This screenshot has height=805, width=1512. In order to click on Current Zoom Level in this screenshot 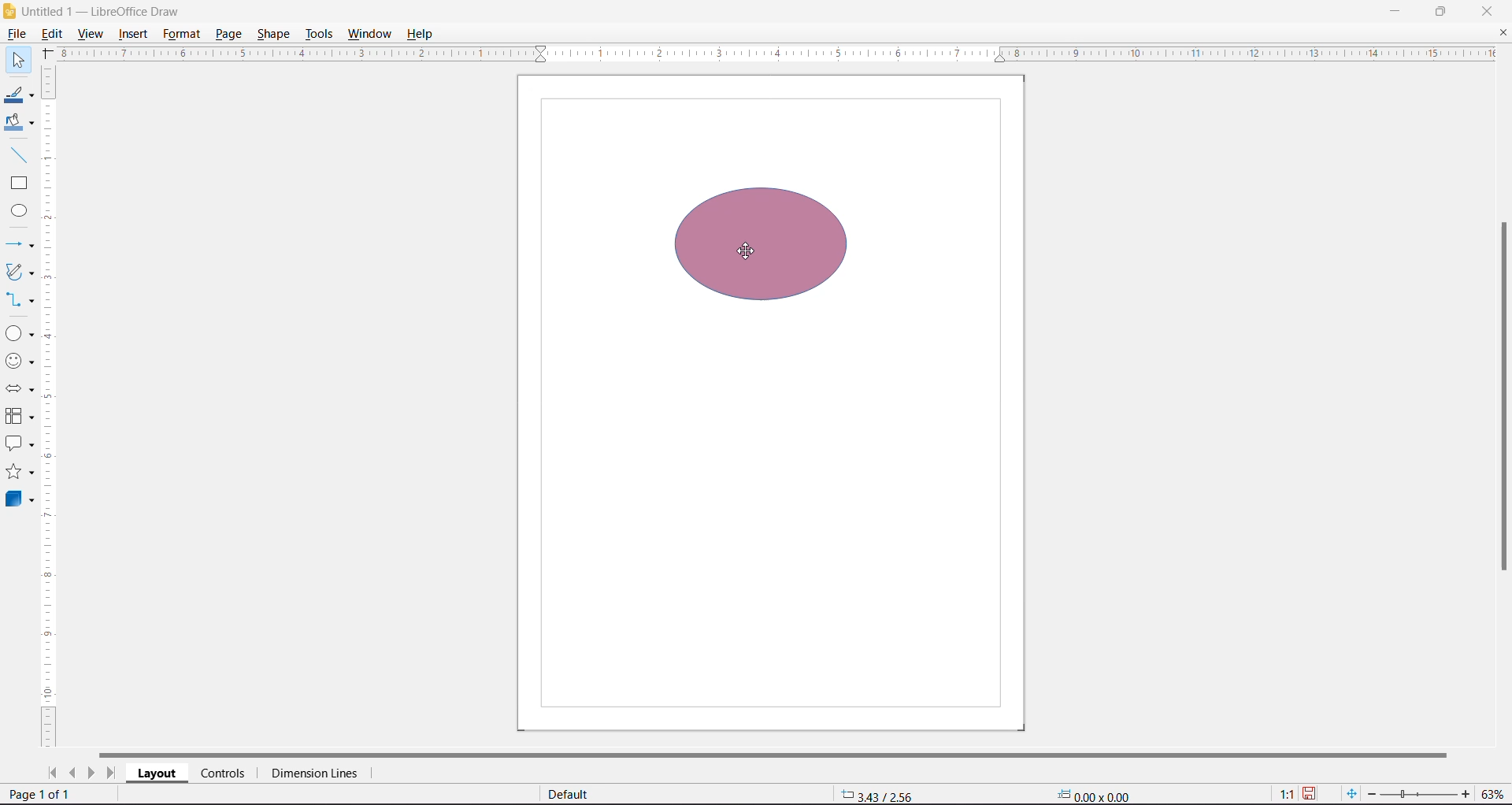, I will do `click(1492, 795)`.